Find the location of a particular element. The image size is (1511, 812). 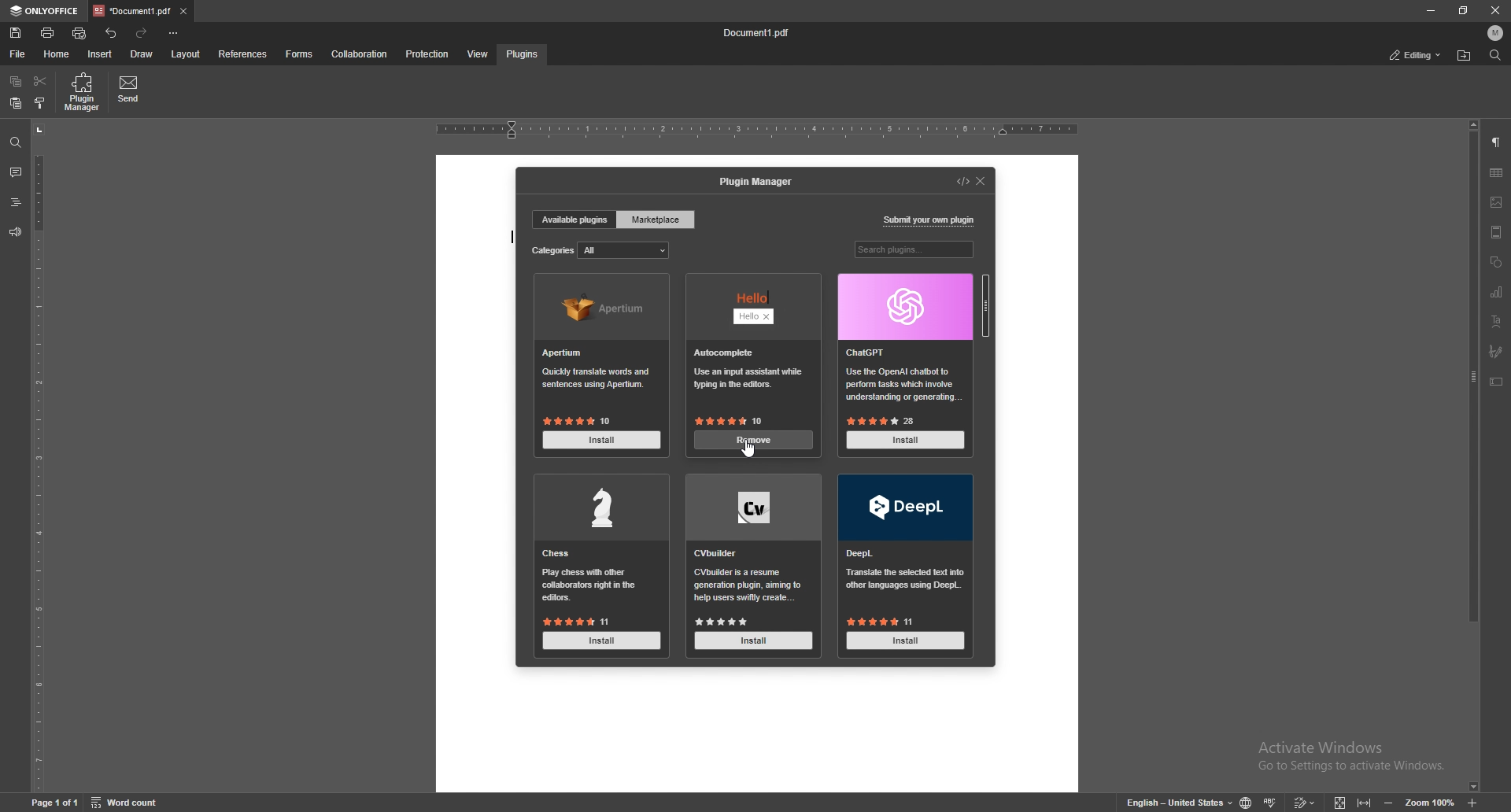

onlyoffice is located at coordinates (46, 11).